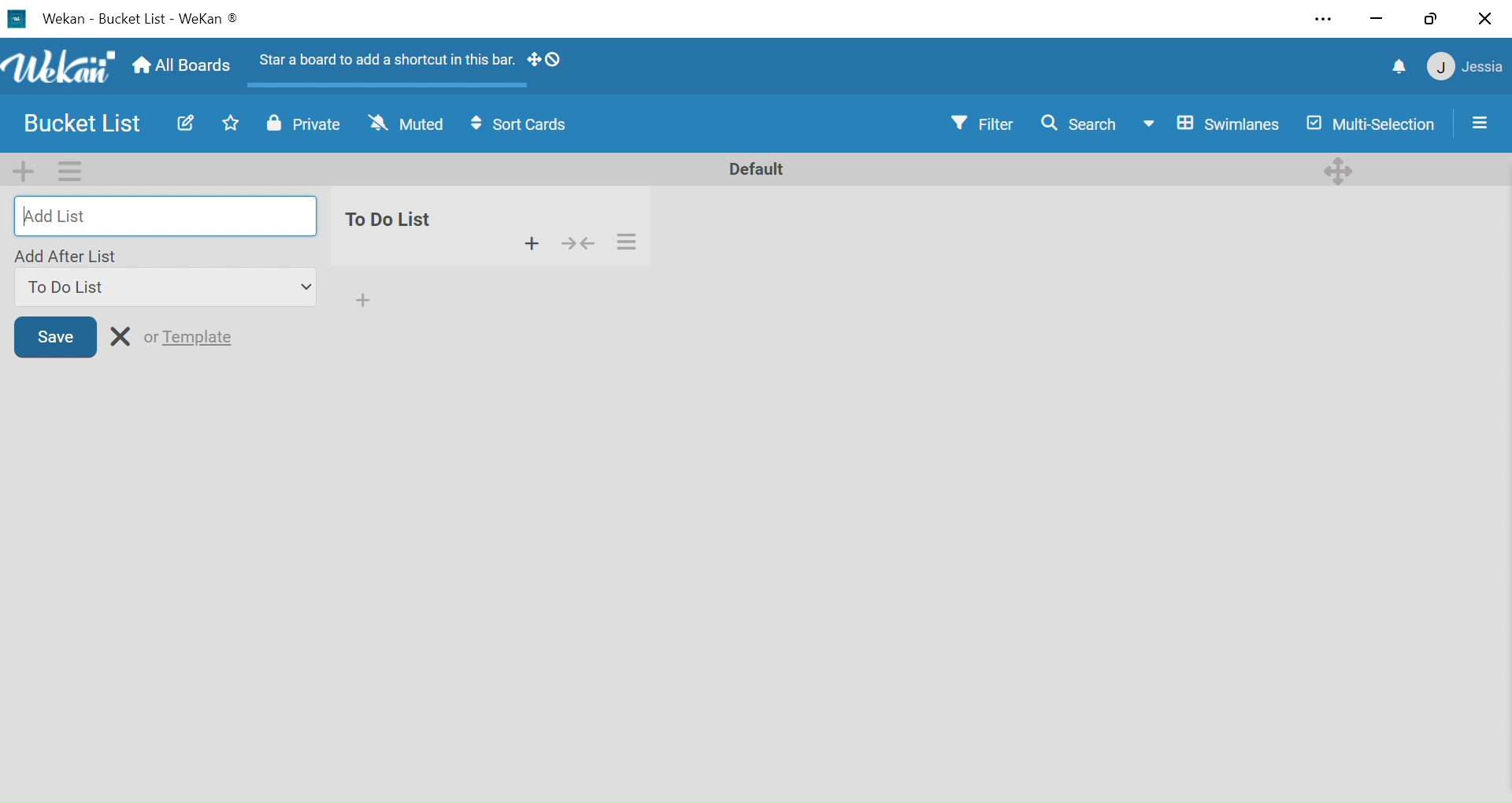 The height and width of the screenshot is (803, 1512). I want to click on Swimlane name, so click(754, 168).